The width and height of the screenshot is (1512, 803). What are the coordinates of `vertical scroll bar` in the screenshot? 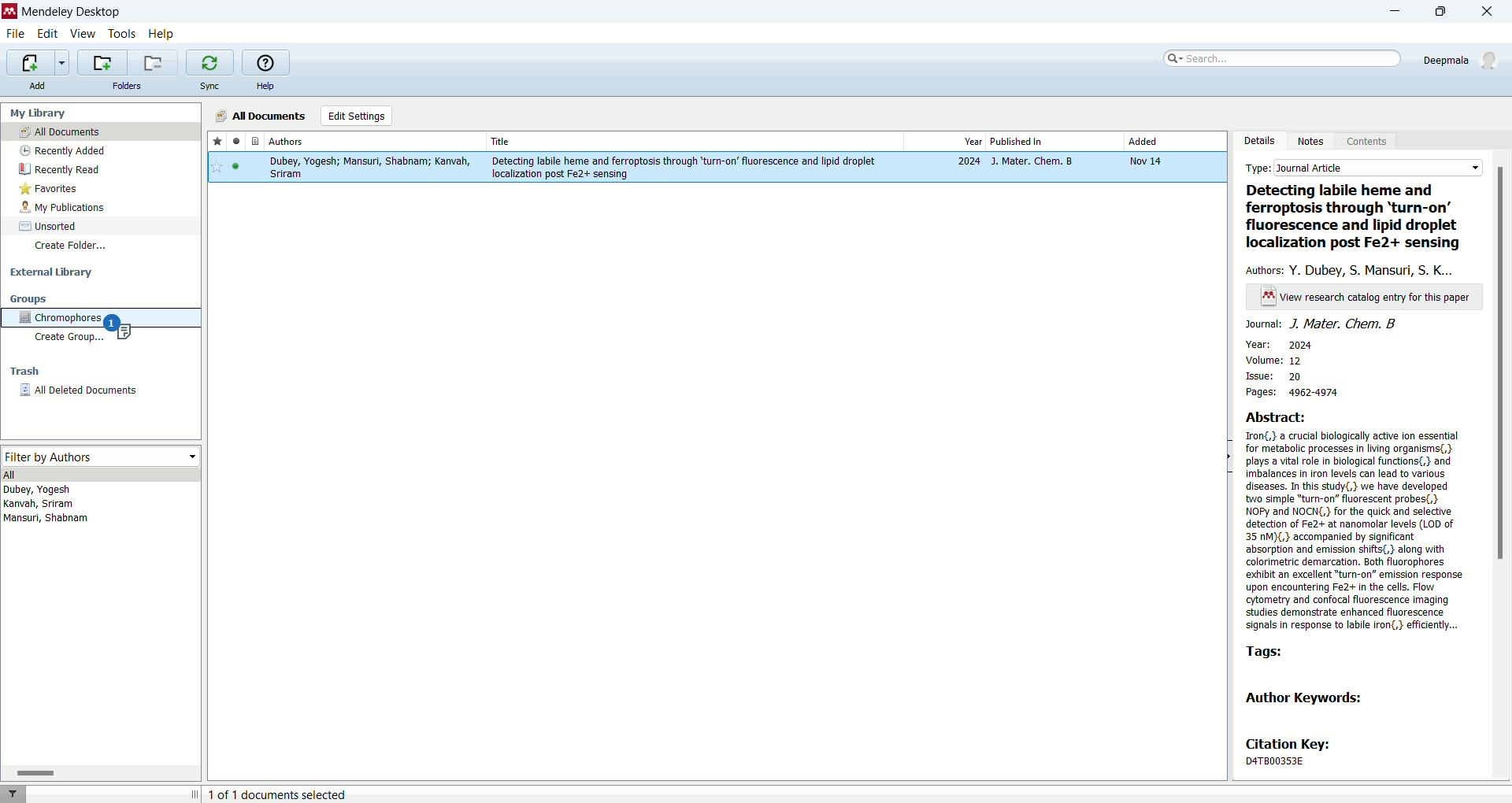 It's located at (1503, 464).